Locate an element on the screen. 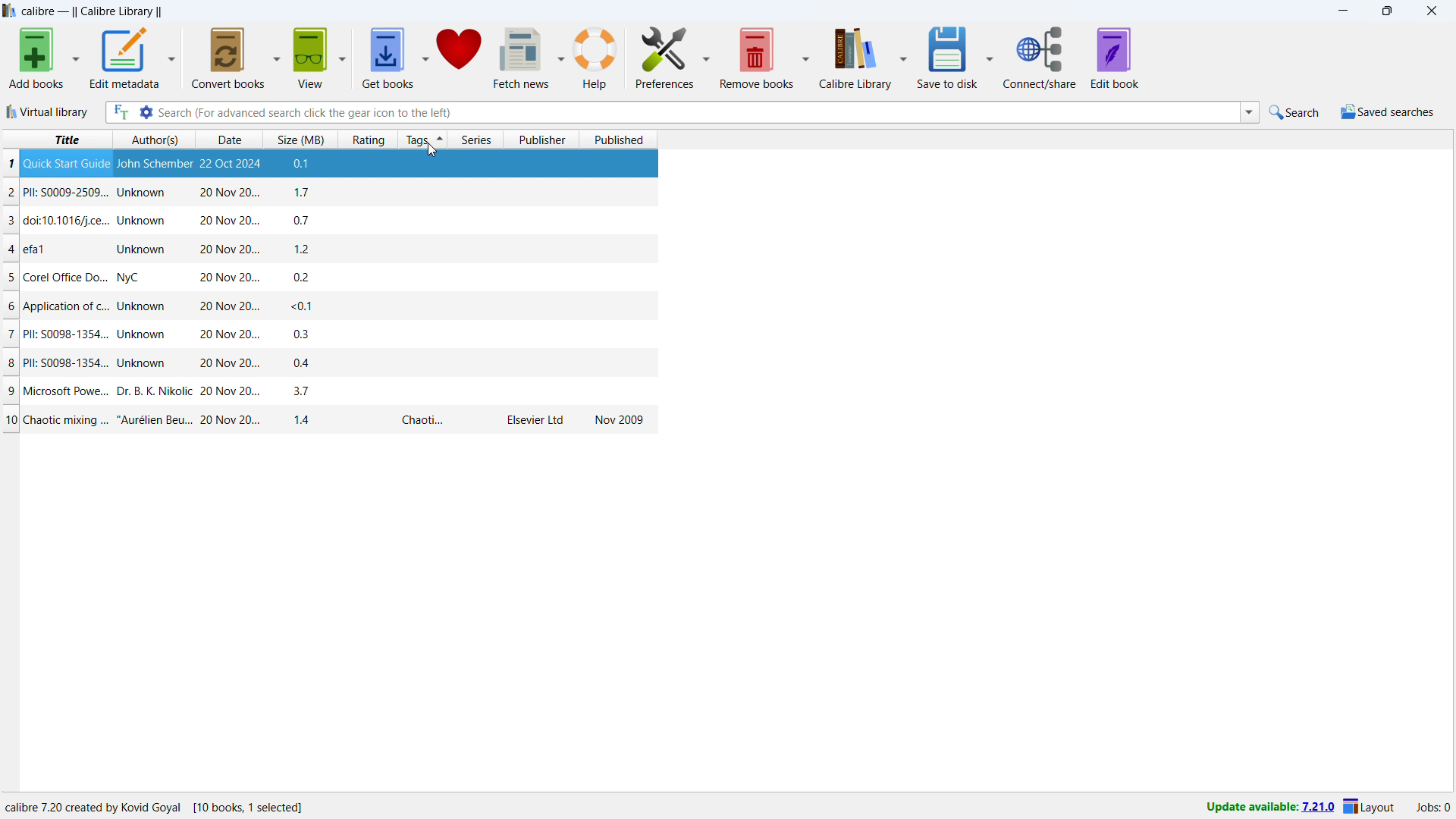 The height and width of the screenshot is (819, 1456). save to disk is located at coordinates (947, 57).